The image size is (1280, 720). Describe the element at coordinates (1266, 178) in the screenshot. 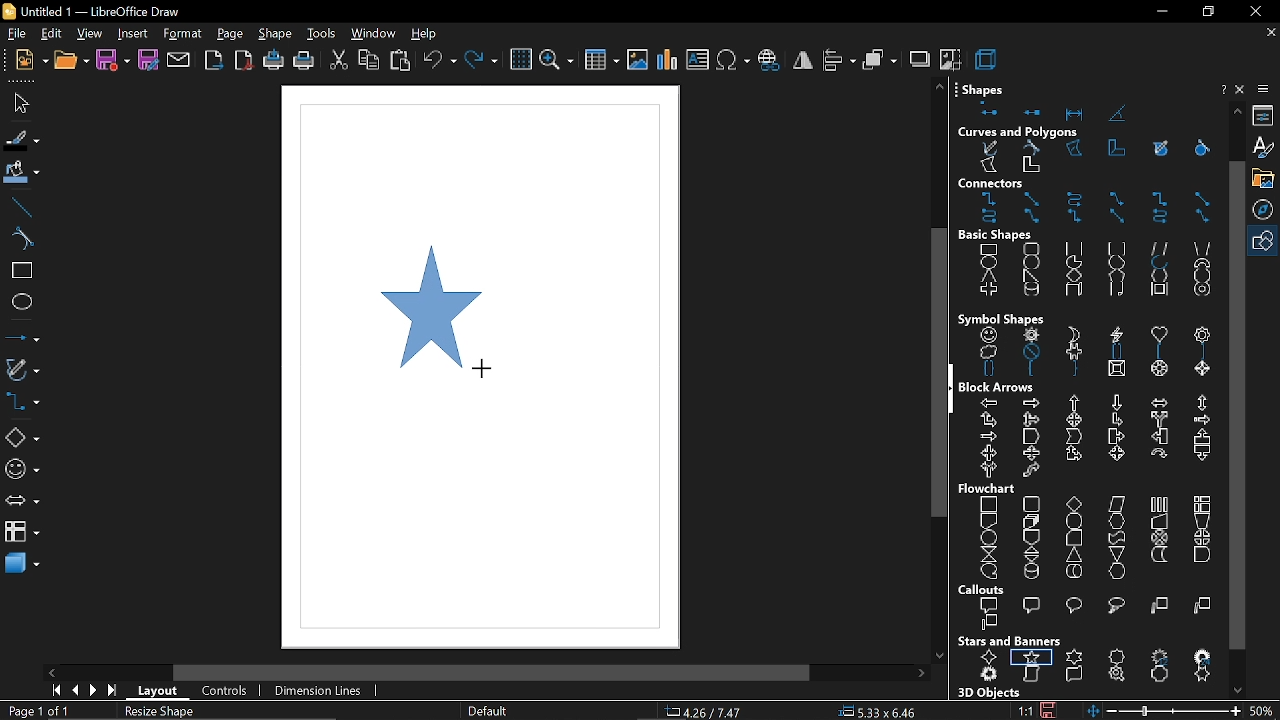

I see `gallery` at that location.